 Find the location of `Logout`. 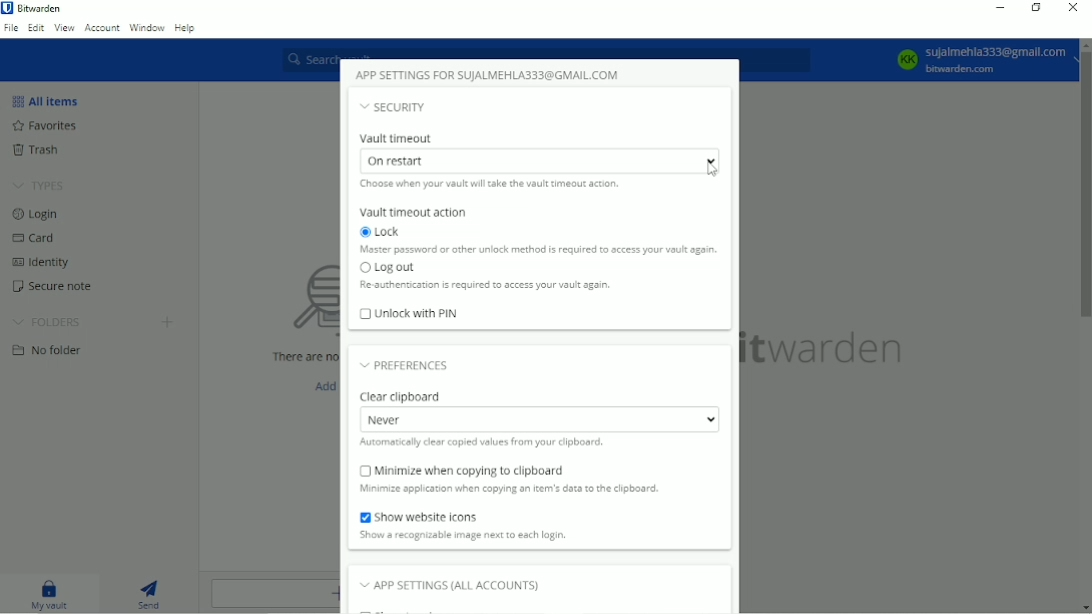

Logout is located at coordinates (384, 266).